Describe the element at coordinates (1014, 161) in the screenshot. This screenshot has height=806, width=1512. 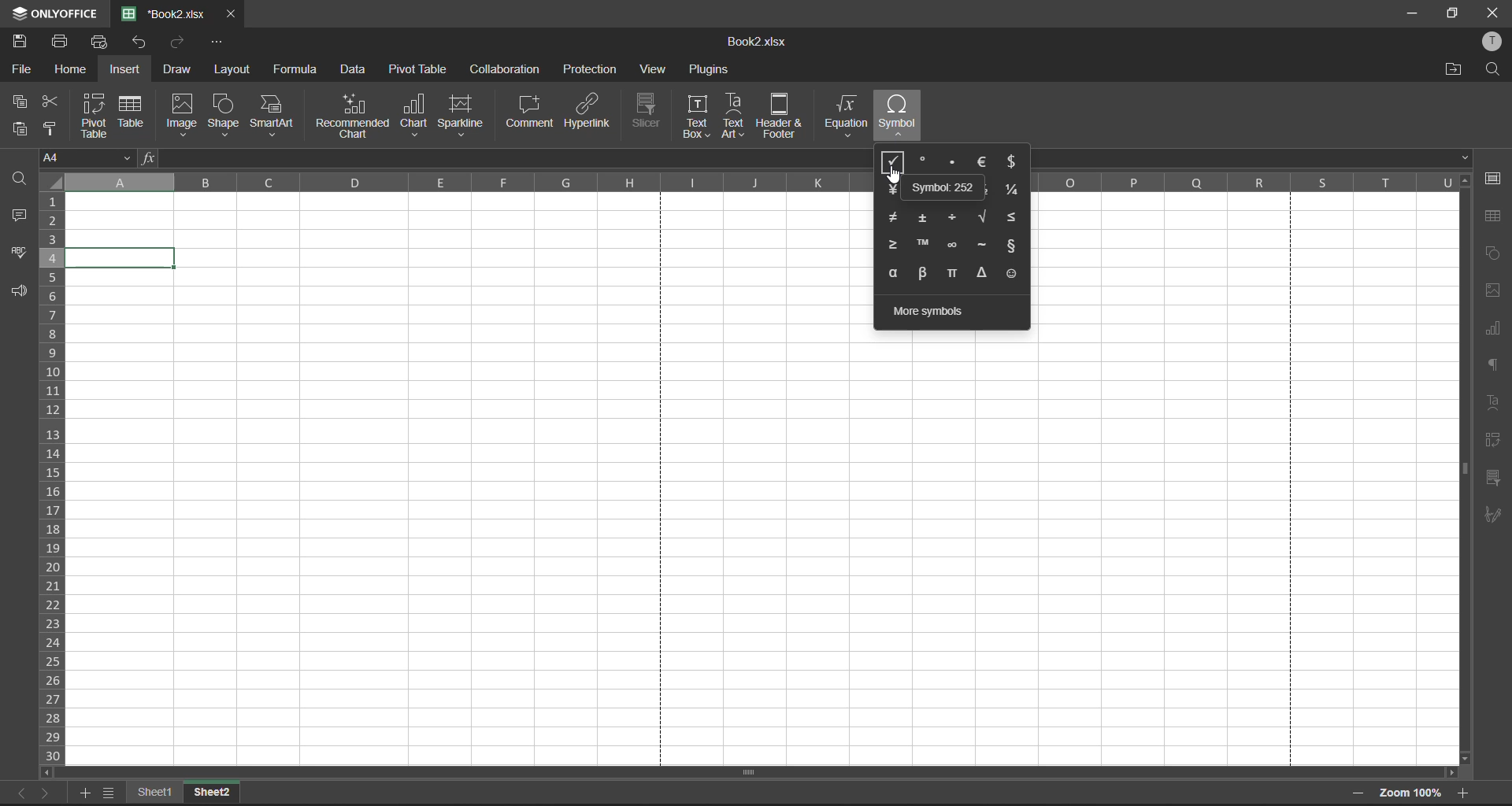
I see `dollar` at that location.